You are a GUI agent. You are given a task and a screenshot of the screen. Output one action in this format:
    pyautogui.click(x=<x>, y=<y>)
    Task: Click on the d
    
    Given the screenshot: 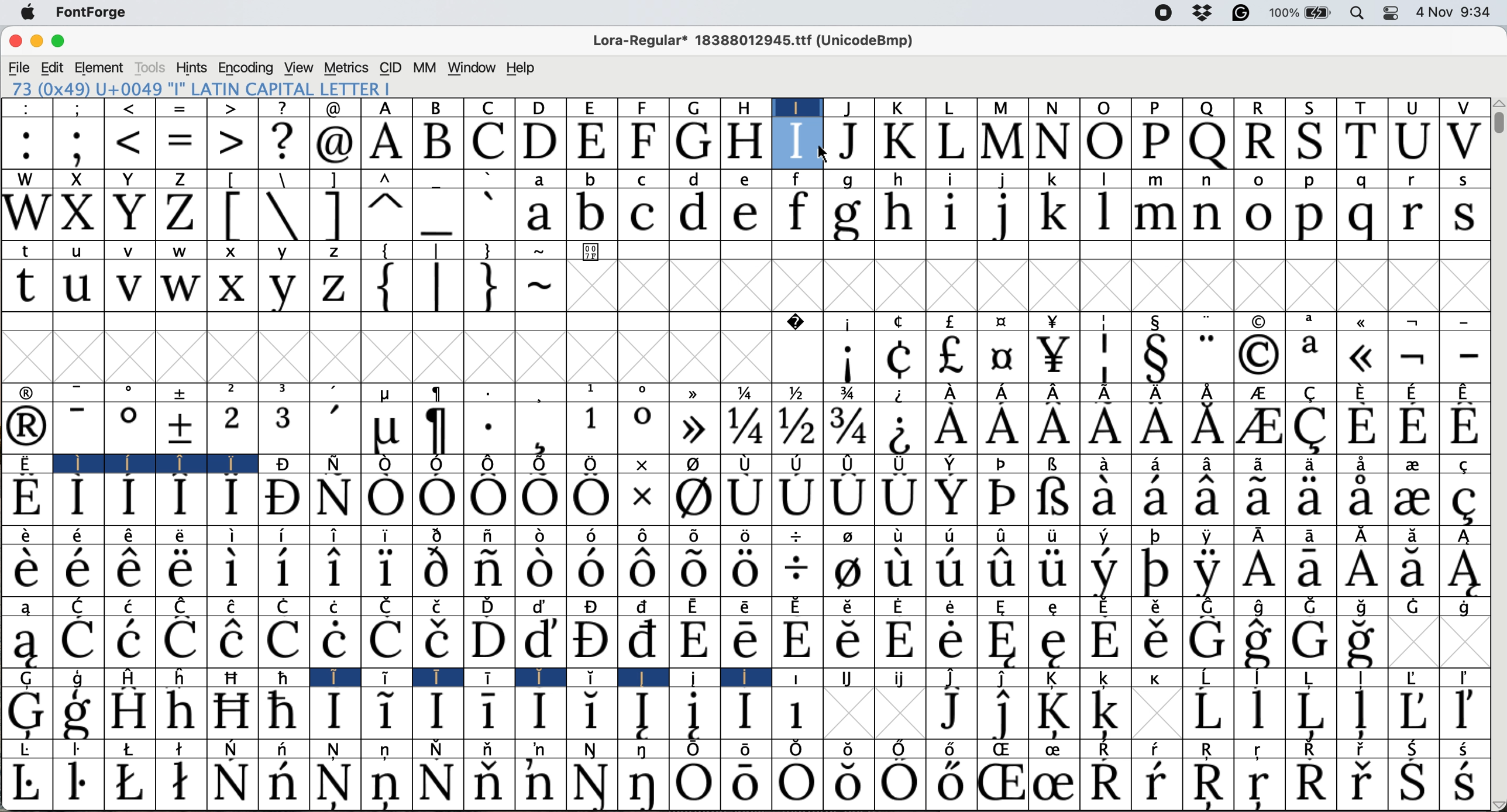 What is the action you would take?
    pyautogui.click(x=697, y=178)
    